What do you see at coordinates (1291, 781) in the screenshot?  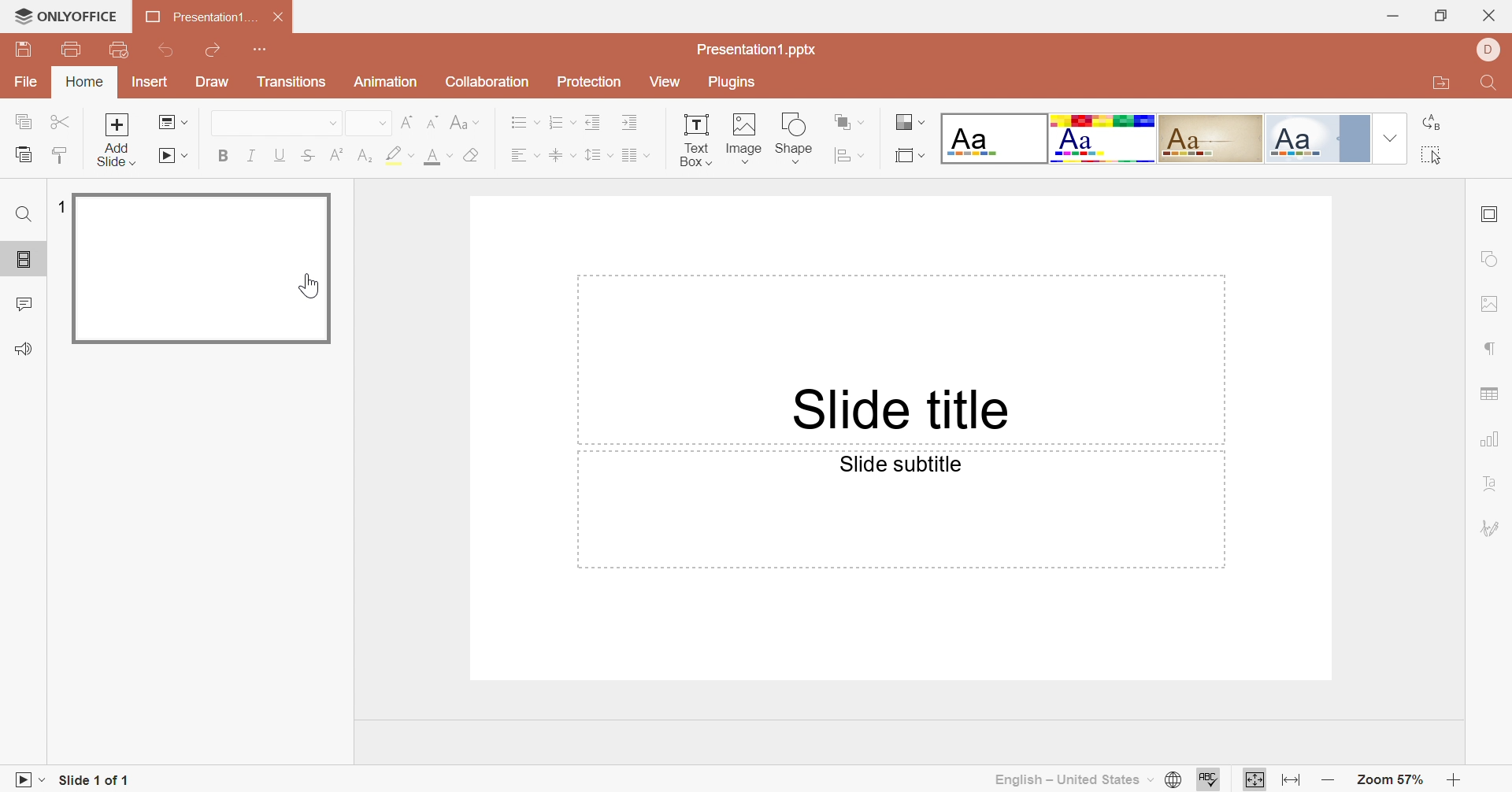 I see `Fit to width` at bounding box center [1291, 781].